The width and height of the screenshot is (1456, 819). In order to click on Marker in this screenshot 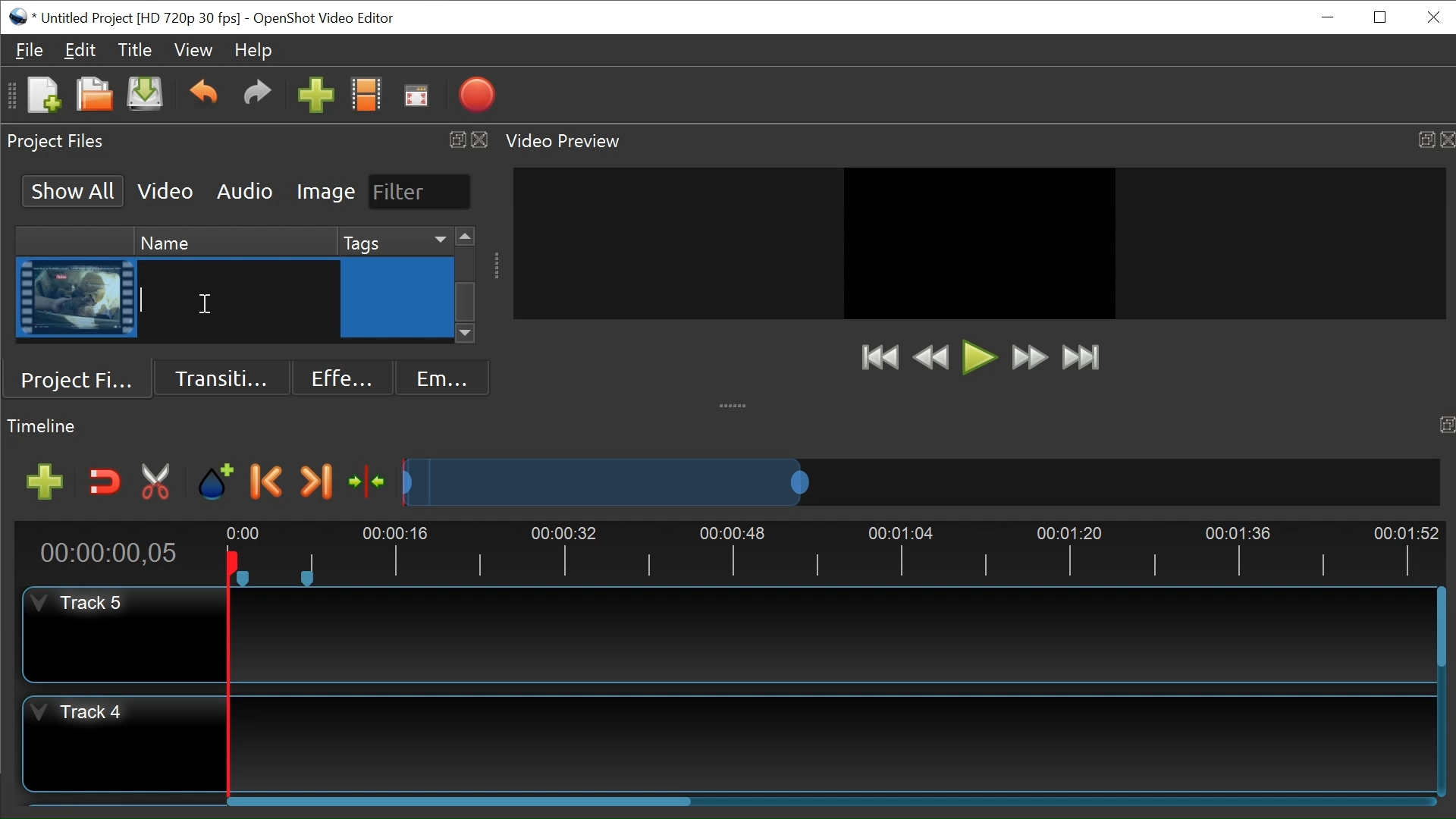, I will do `click(217, 482)`.